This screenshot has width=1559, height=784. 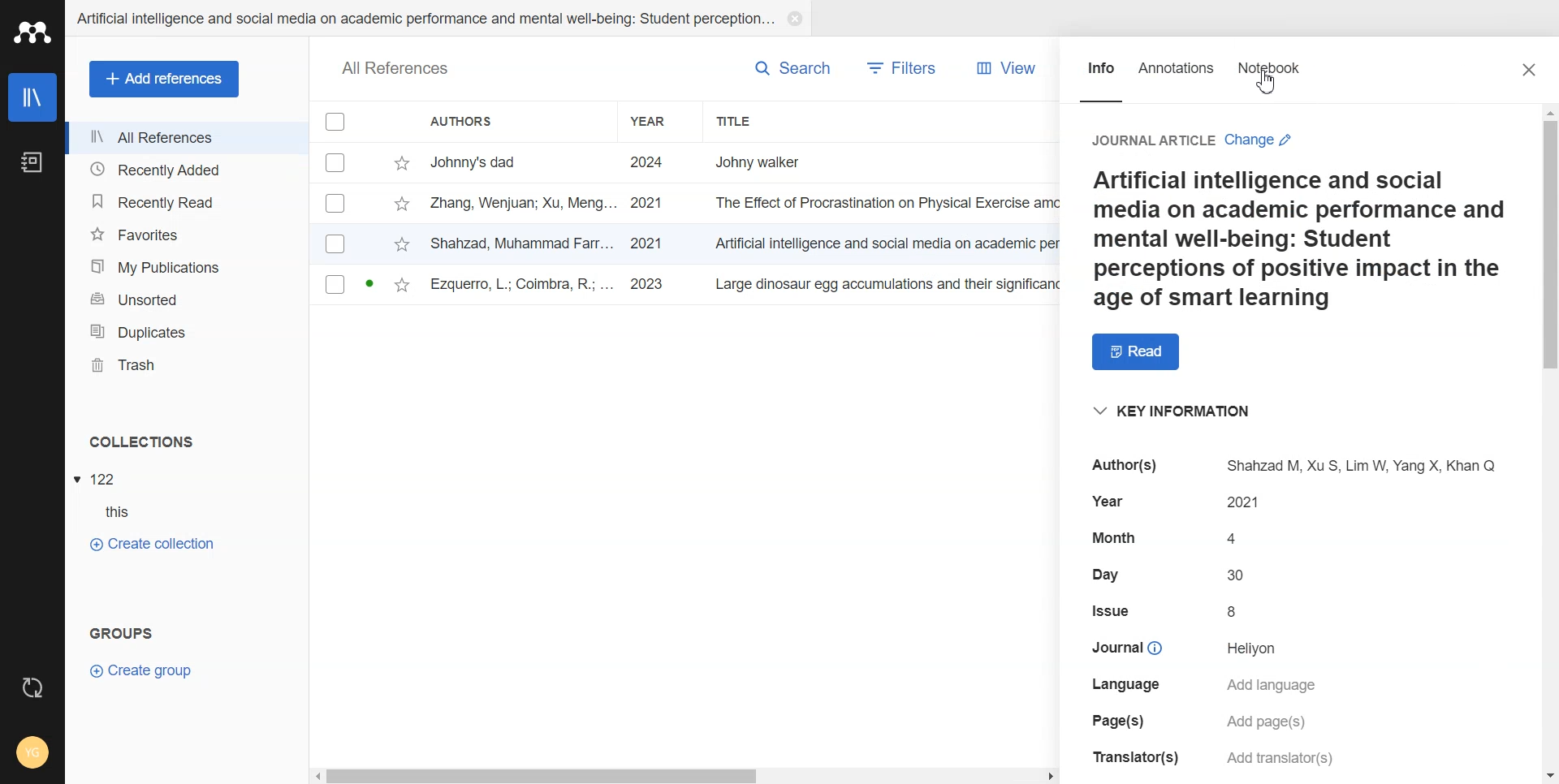 I want to click on Vertical scroll bar, so click(x=1549, y=445).